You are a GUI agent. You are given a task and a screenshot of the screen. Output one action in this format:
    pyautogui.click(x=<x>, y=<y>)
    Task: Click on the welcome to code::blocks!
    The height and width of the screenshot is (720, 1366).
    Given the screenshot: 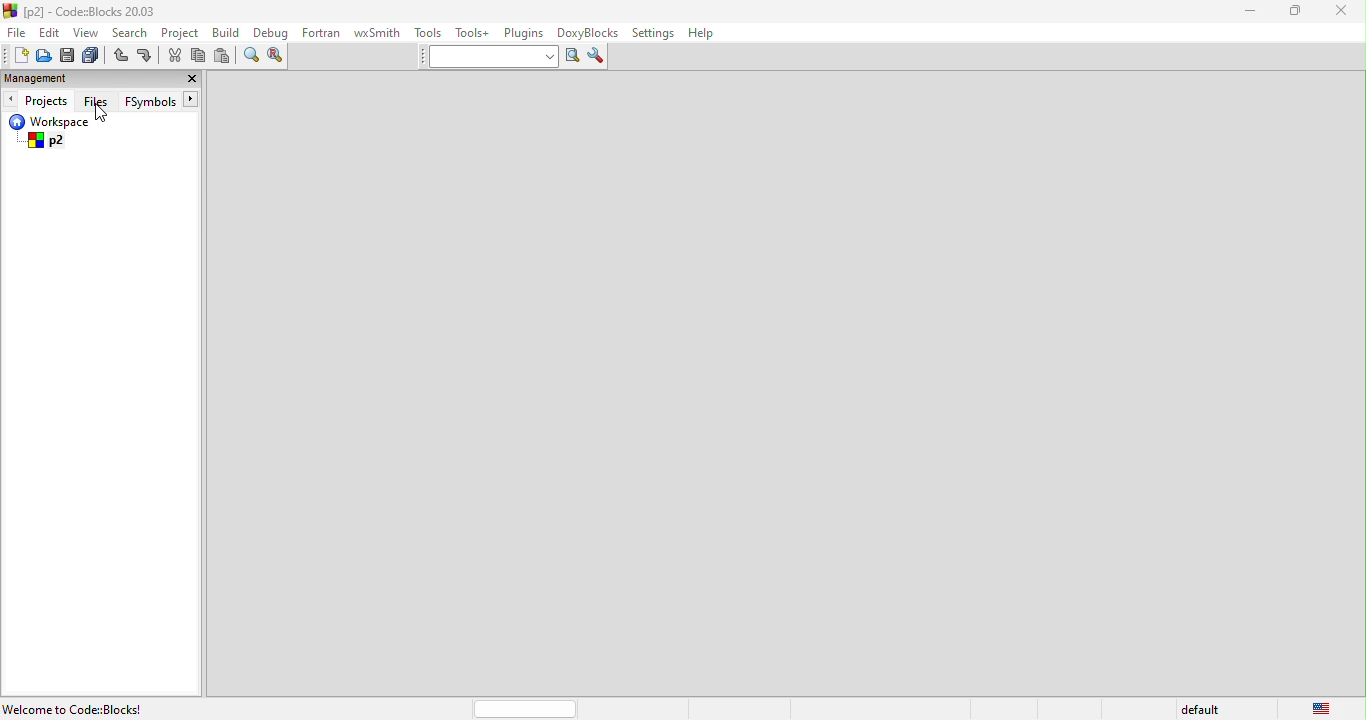 What is the action you would take?
    pyautogui.click(x=77, y=708)
    